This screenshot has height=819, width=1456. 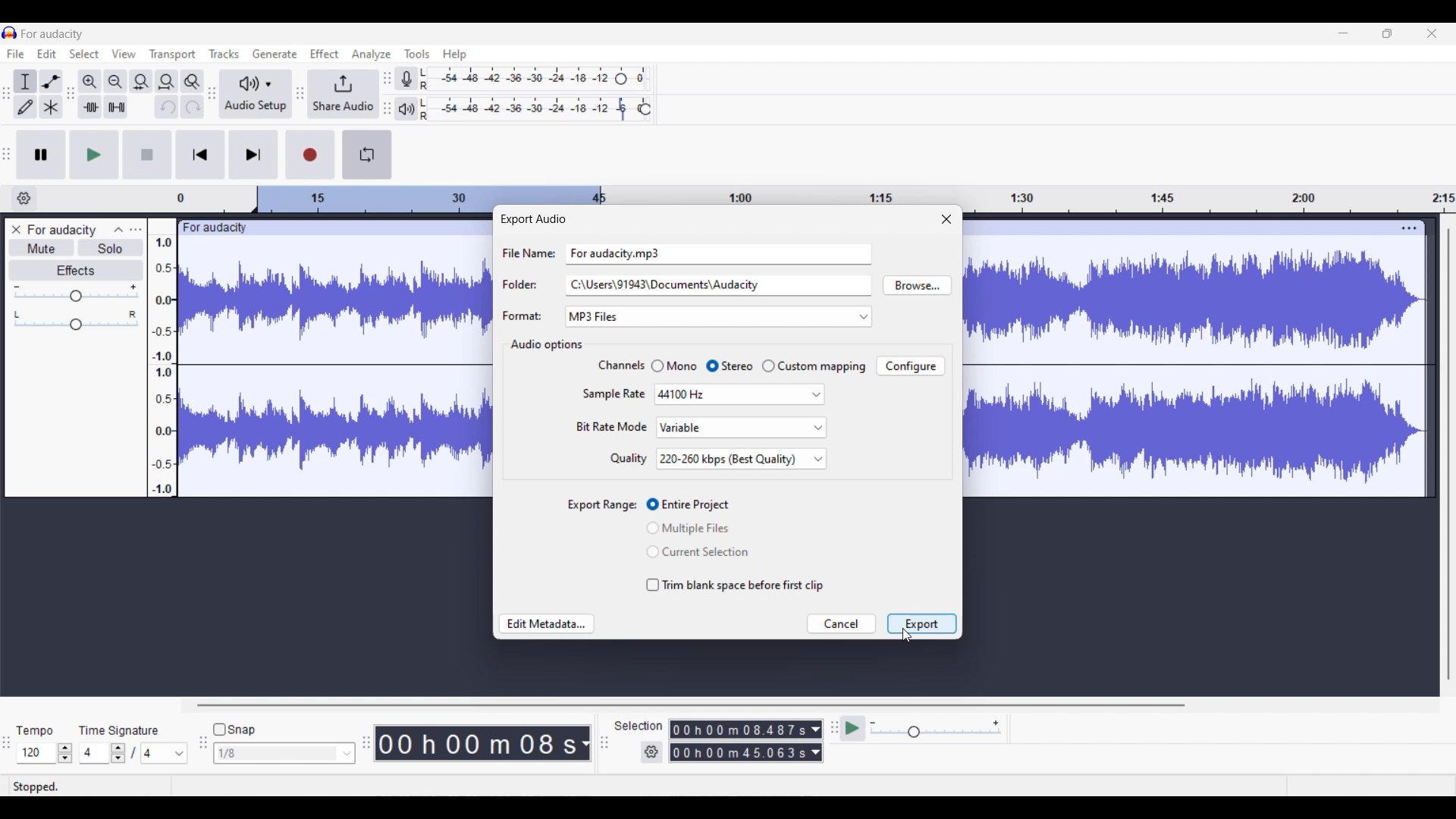 What do you see at coordinates (275, 54) in the screenshot?
I see `Generate menu` at bounding box center [275, 54].